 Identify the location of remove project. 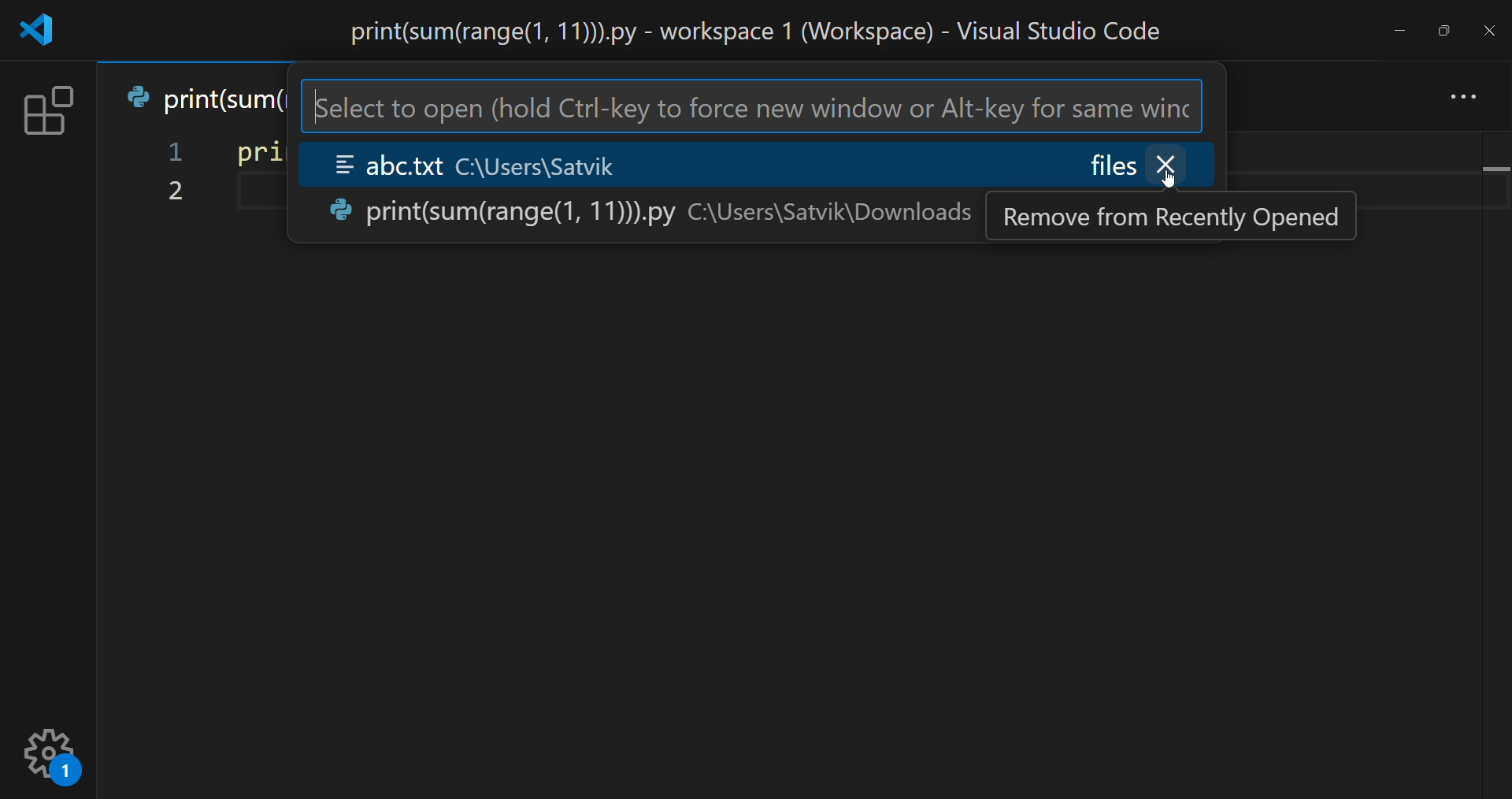
(1171, 164).